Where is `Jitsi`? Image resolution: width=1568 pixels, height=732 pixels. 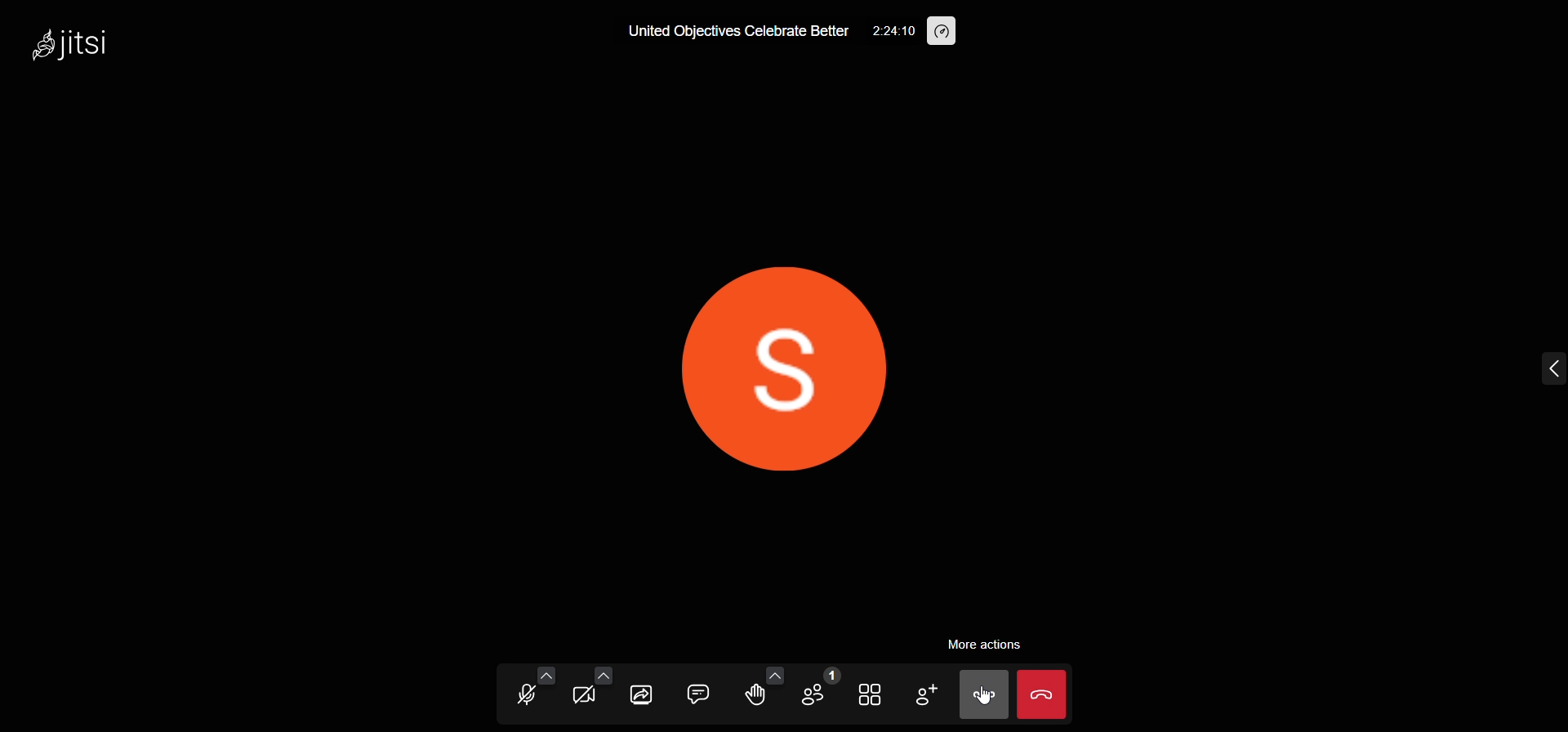 Jitsi is located at coordinates (79, 47).